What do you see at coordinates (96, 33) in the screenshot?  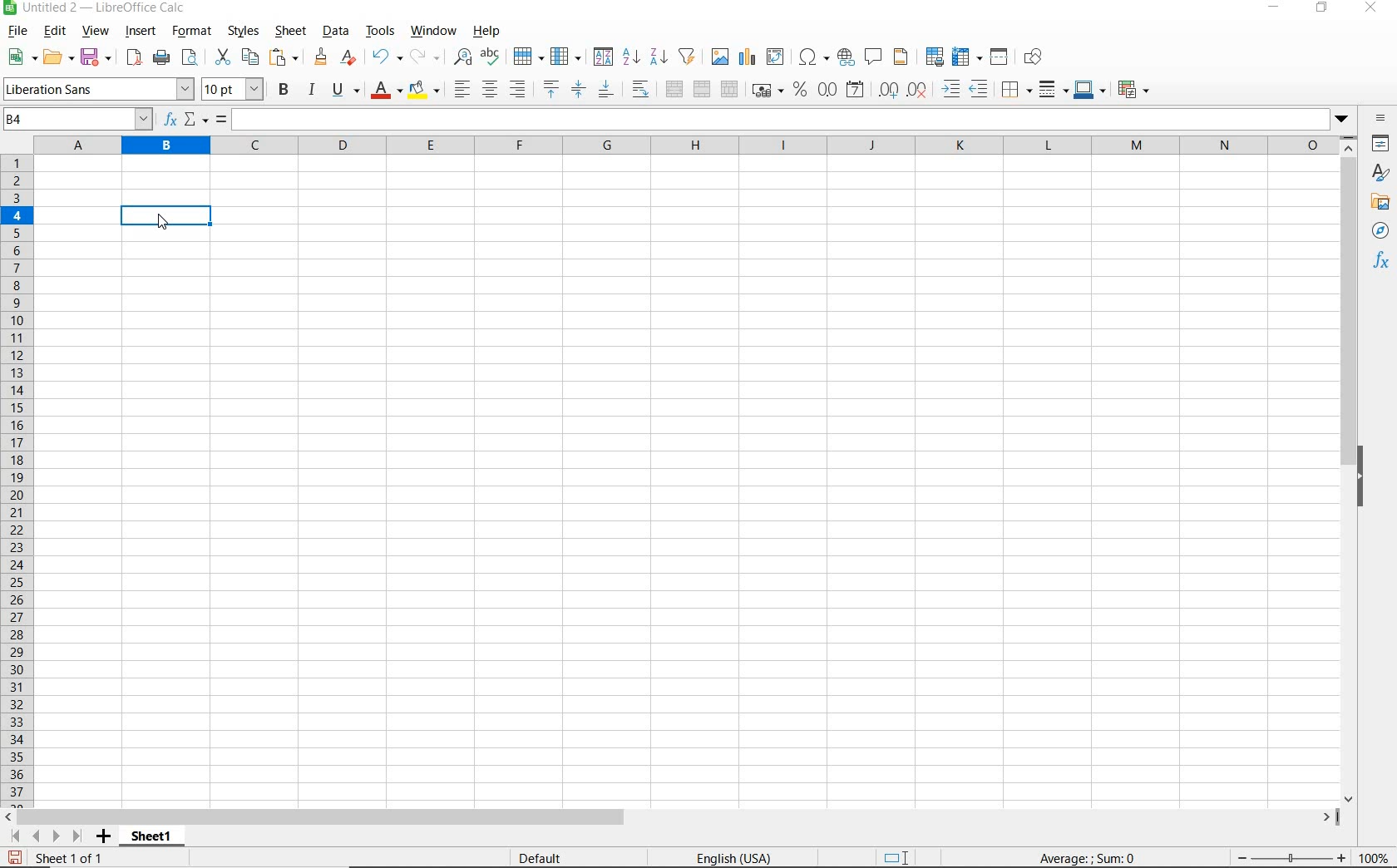 I see `view` at bounding box center [96, 33].